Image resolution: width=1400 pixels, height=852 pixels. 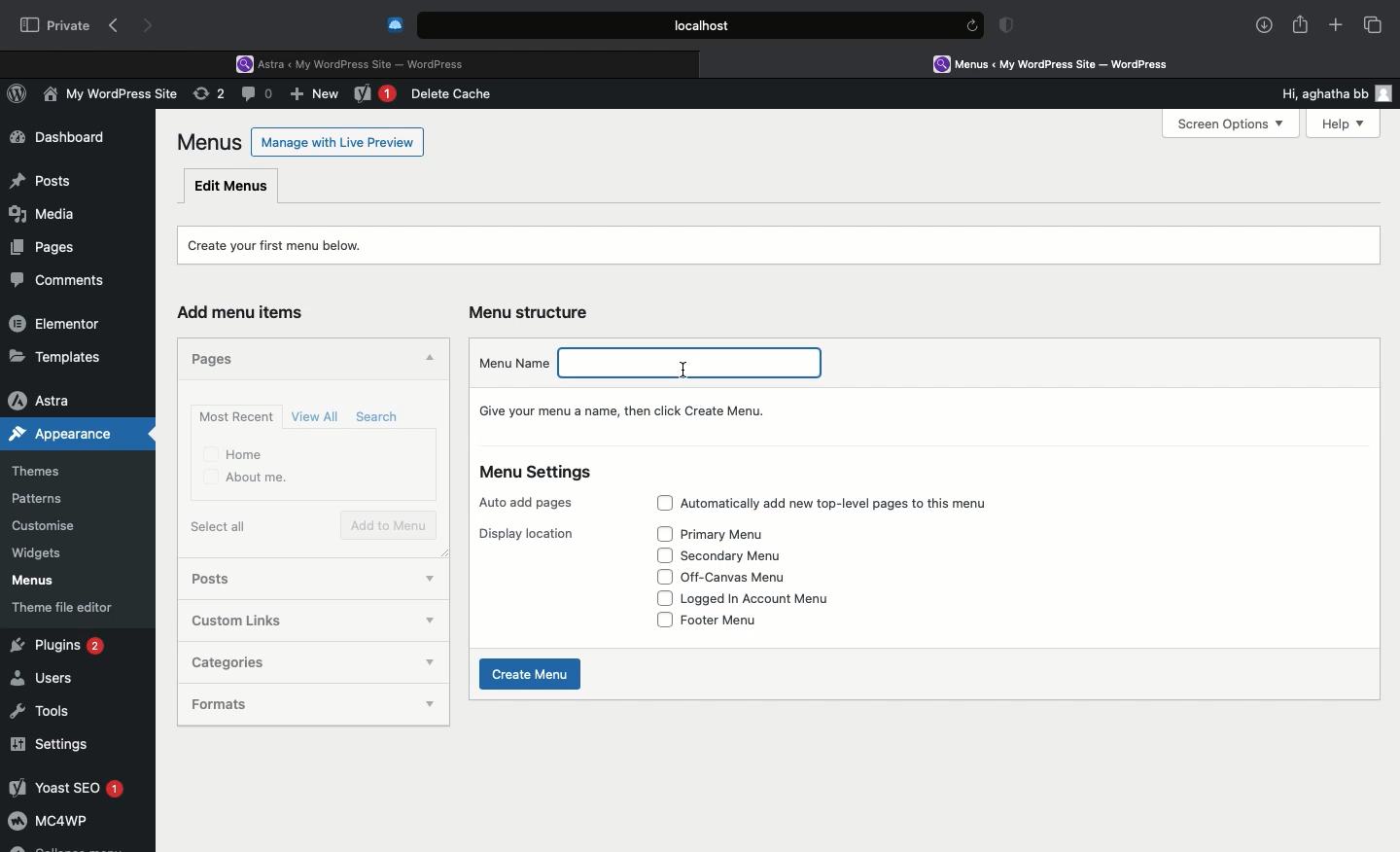 What do you see at coordinates (539, 473) in the screenshot?
I see `Menu settings` at bounding box center [539, 473].